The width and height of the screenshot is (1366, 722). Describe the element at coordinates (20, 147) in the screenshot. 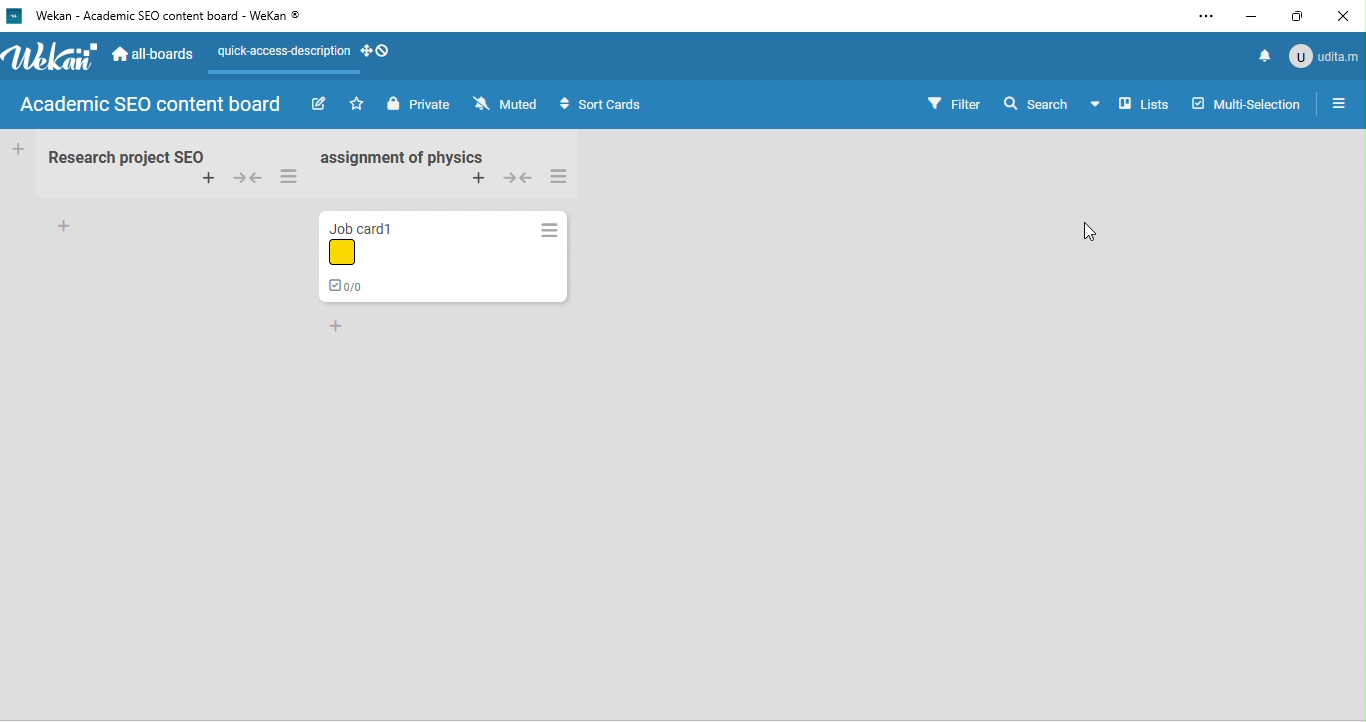

I see `Add` at that location.